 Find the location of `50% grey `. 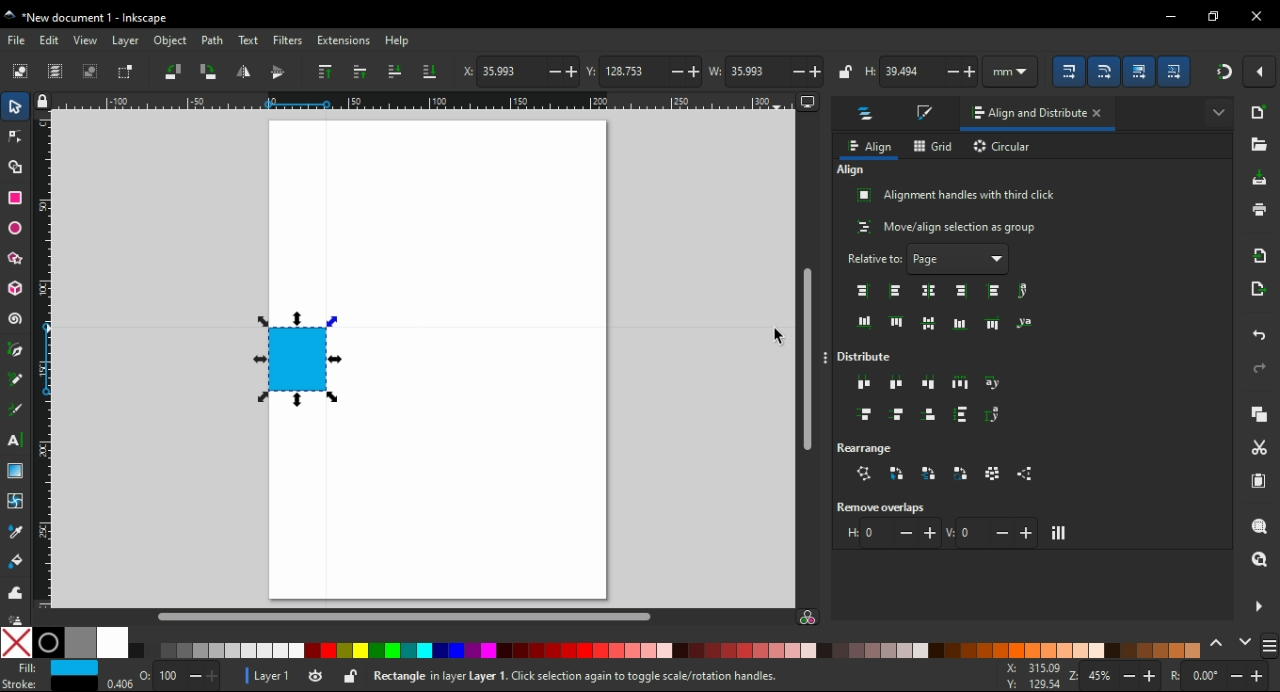

50% grey  is located at coordinates (81, 642).